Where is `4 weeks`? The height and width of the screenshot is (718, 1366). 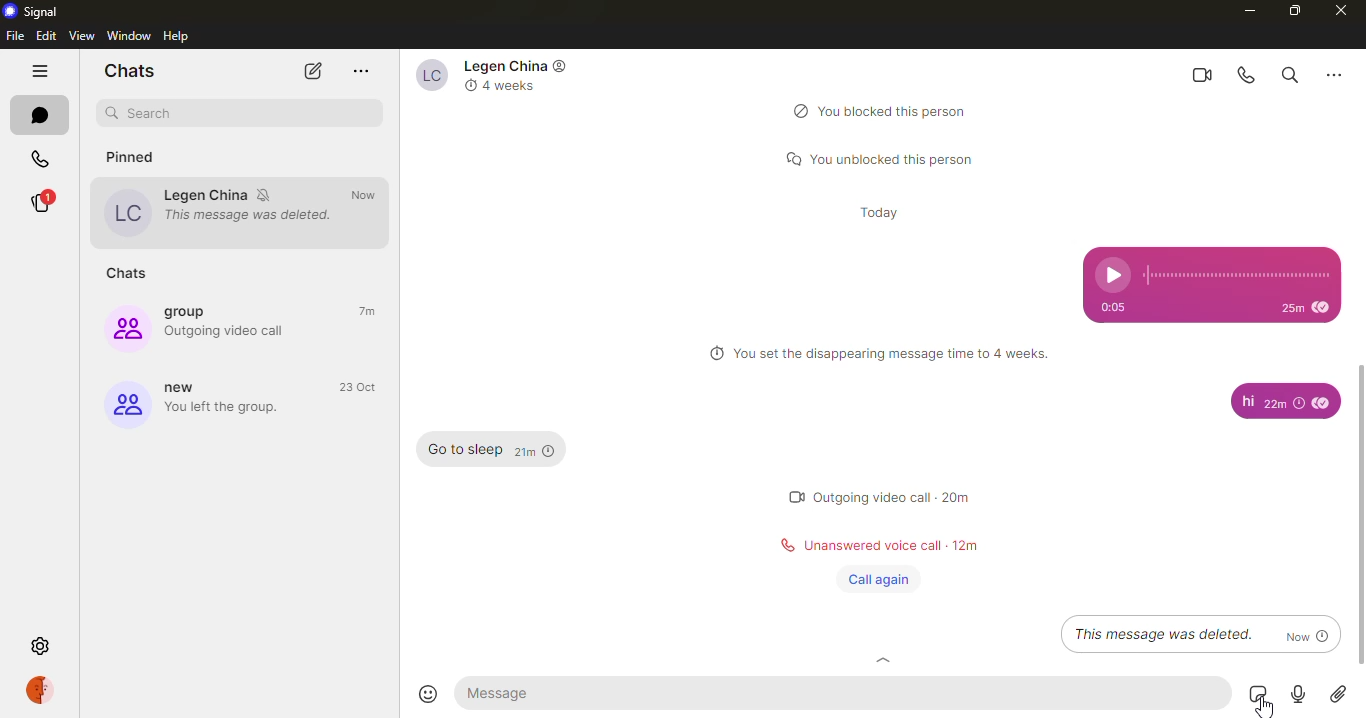
4 weeks is located at coordinates (510, 87).